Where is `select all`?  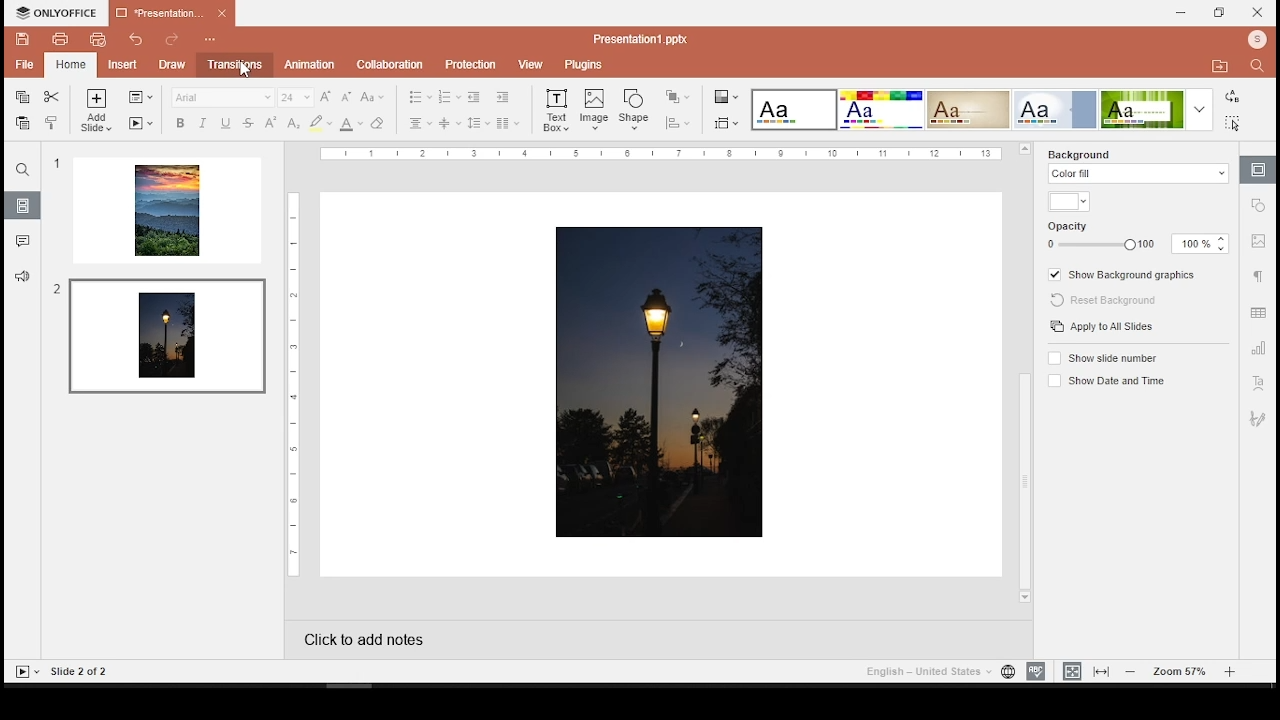 select all is located at coordinates (1233, 125).